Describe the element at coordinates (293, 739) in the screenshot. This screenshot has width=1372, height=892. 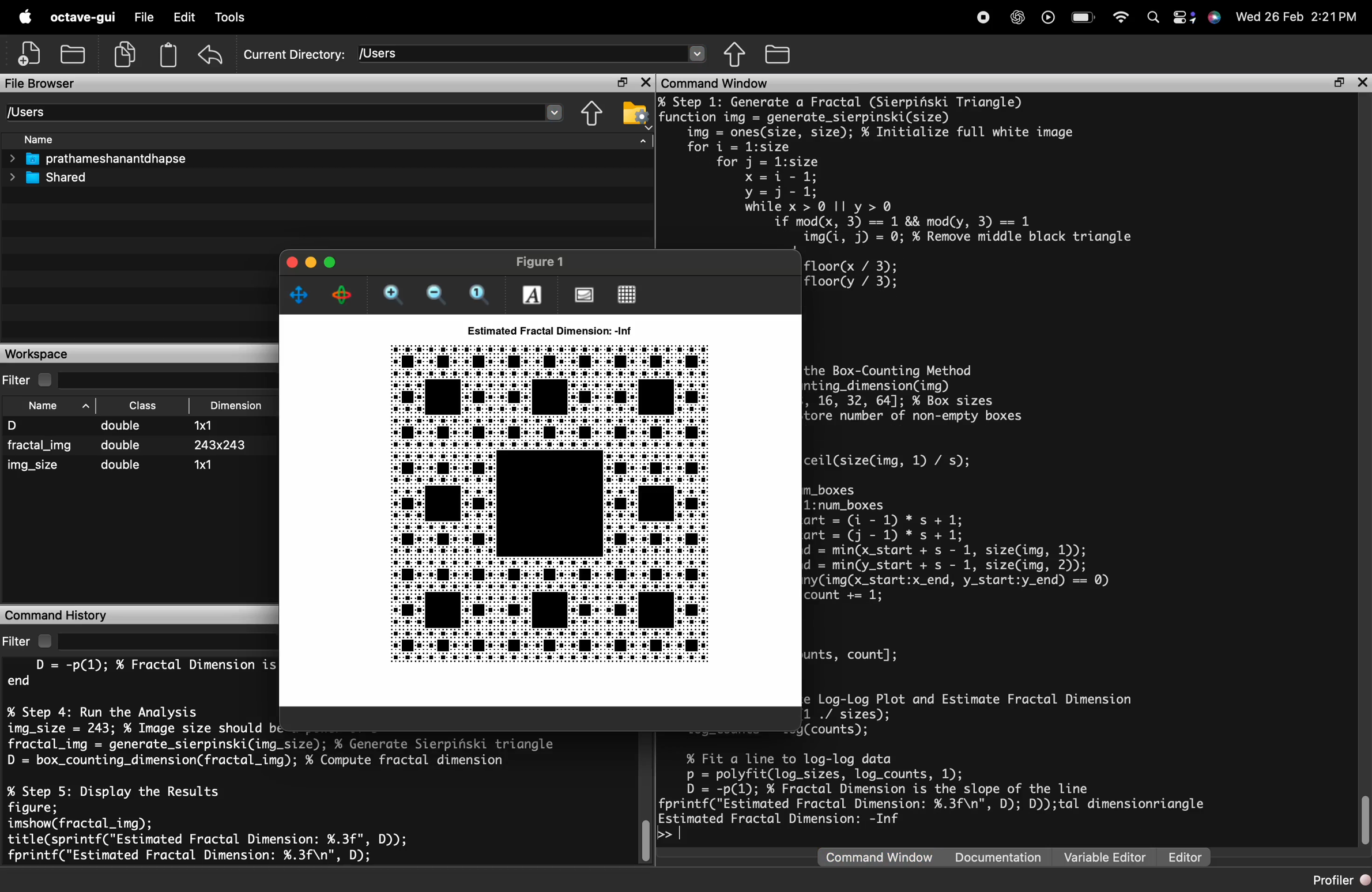
I see `code to run the analysis` at that location.